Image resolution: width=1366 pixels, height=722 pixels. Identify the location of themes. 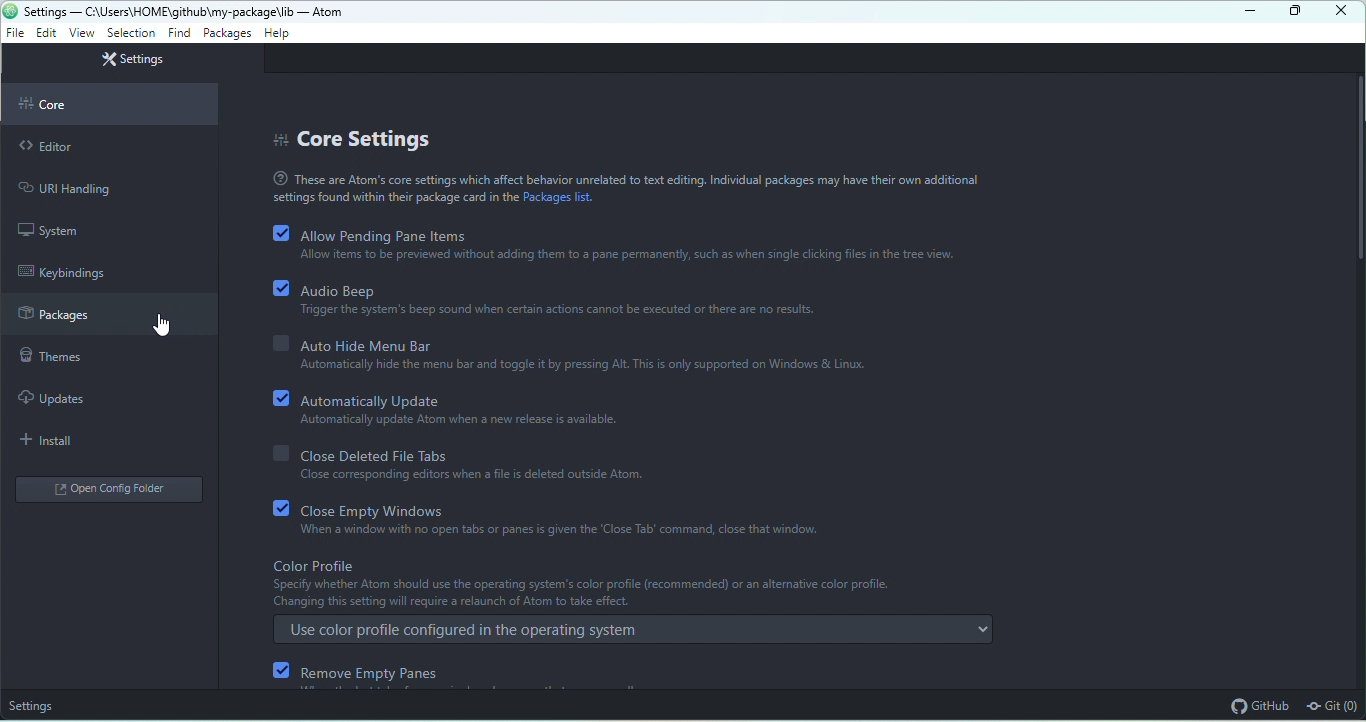
(72, 357).